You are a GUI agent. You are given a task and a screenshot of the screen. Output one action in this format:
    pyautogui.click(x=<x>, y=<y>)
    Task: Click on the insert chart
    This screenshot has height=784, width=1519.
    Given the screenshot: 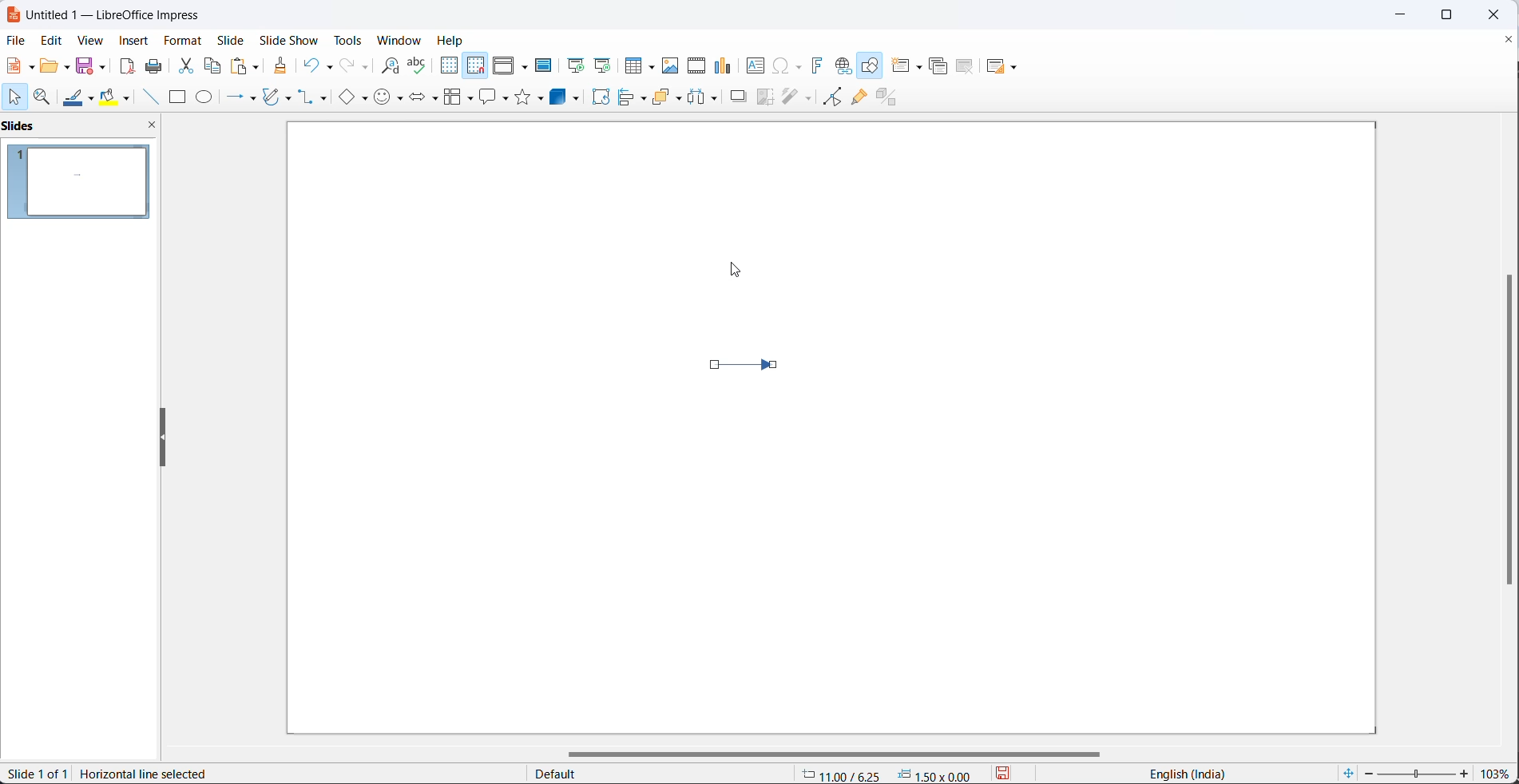 What is the action you would take?
    pyautogui.click(x=723, y=65)
    